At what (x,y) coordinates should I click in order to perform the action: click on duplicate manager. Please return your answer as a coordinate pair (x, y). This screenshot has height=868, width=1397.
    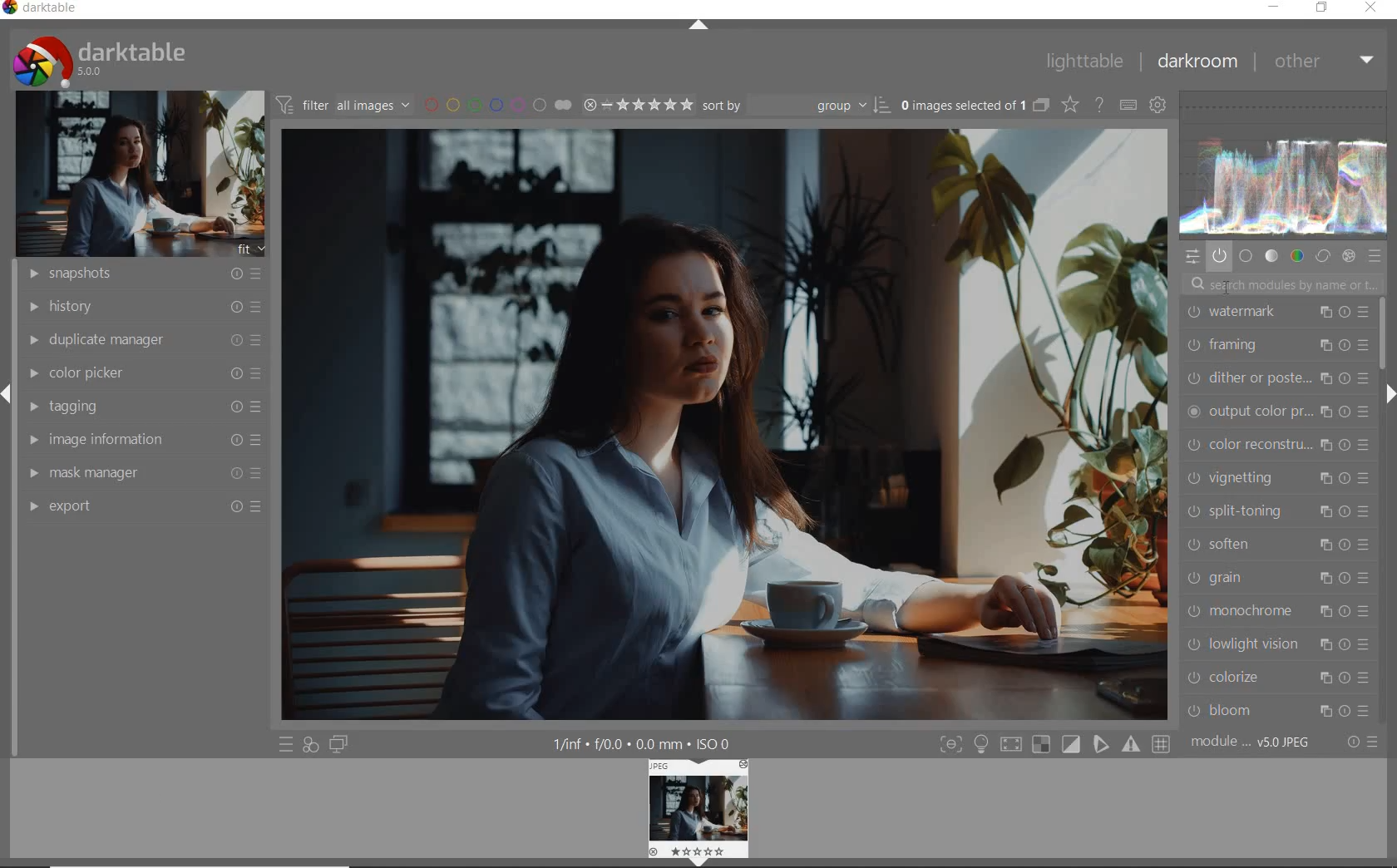
    Looking at the image, I should click on (141, 340).